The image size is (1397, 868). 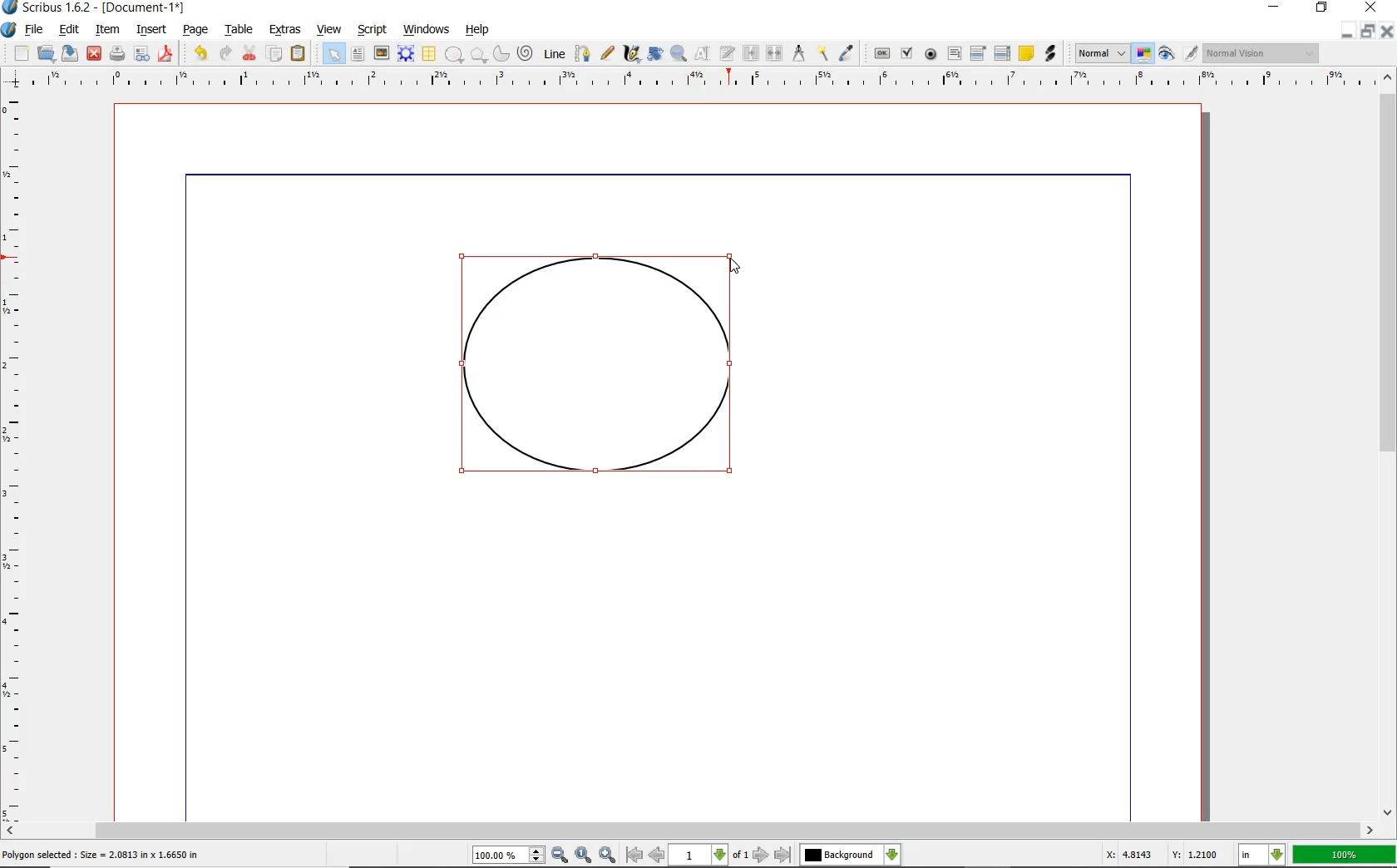 I want to click on next, so click(x=761, y=855).